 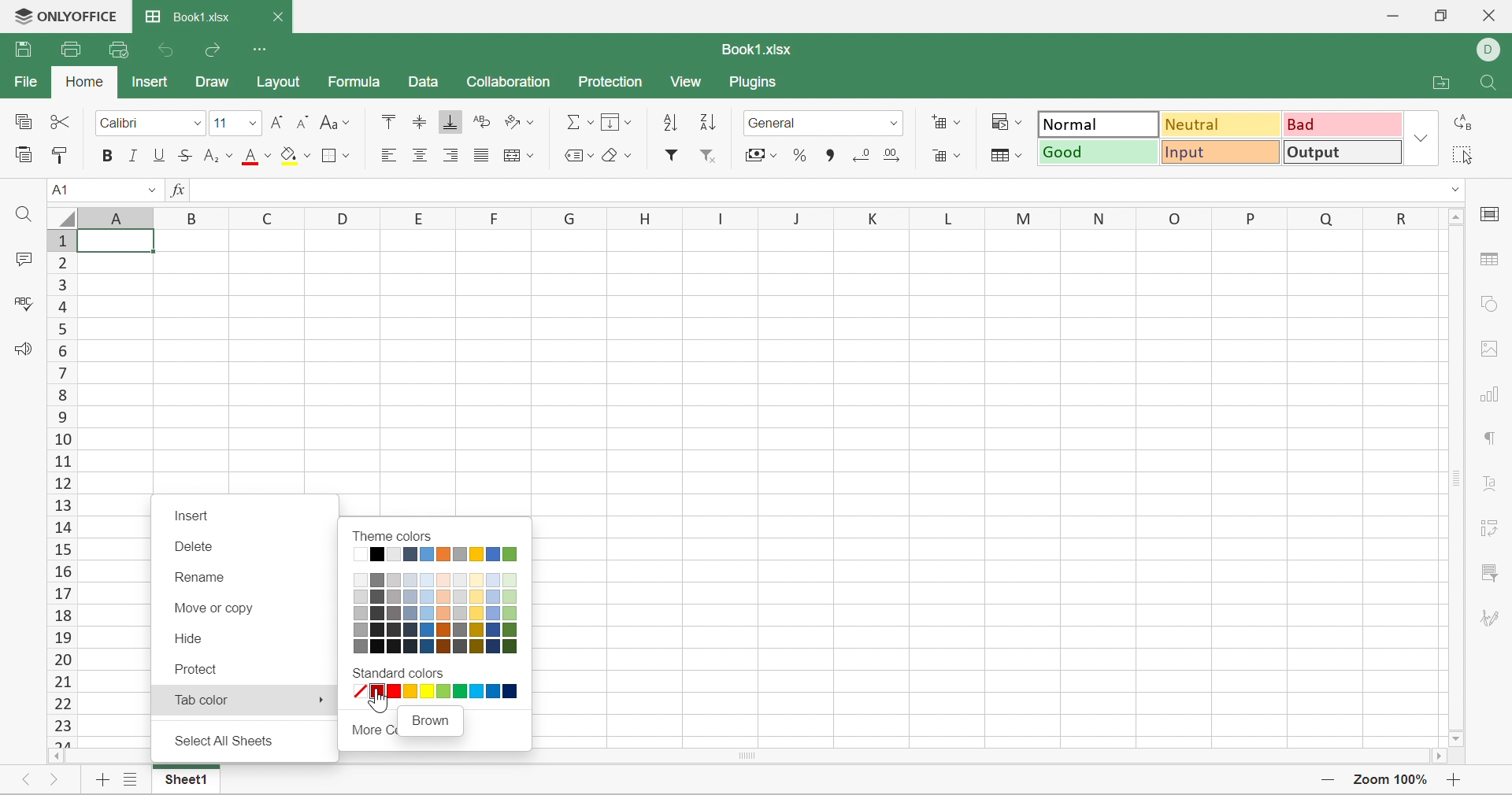 What do you see at coordinates (573, 153) in the screenshot?
I see `Named ranges` at bounding box center [573, 153].